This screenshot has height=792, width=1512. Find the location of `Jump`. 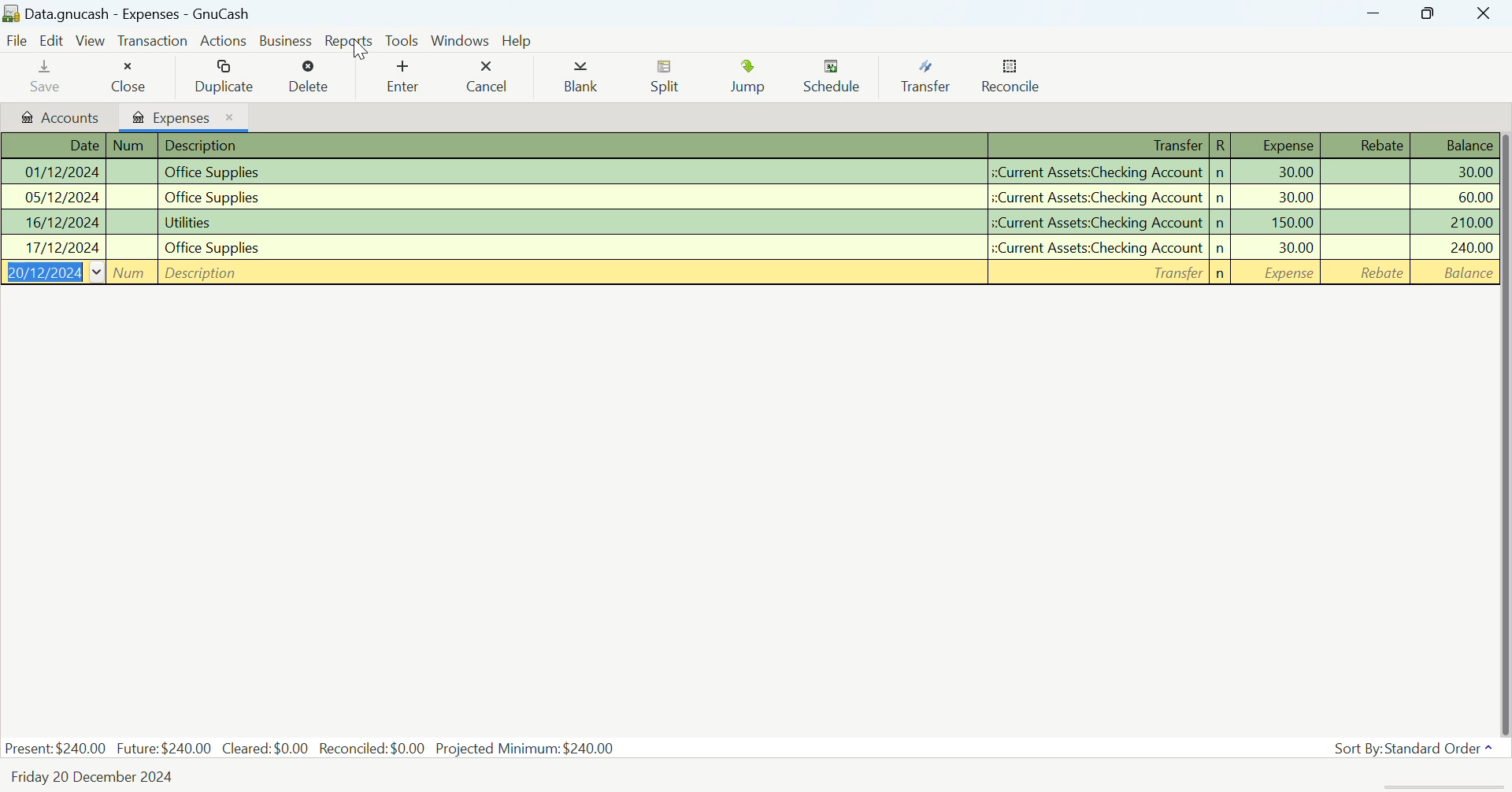

Jump is located at coordinates (747, 78).